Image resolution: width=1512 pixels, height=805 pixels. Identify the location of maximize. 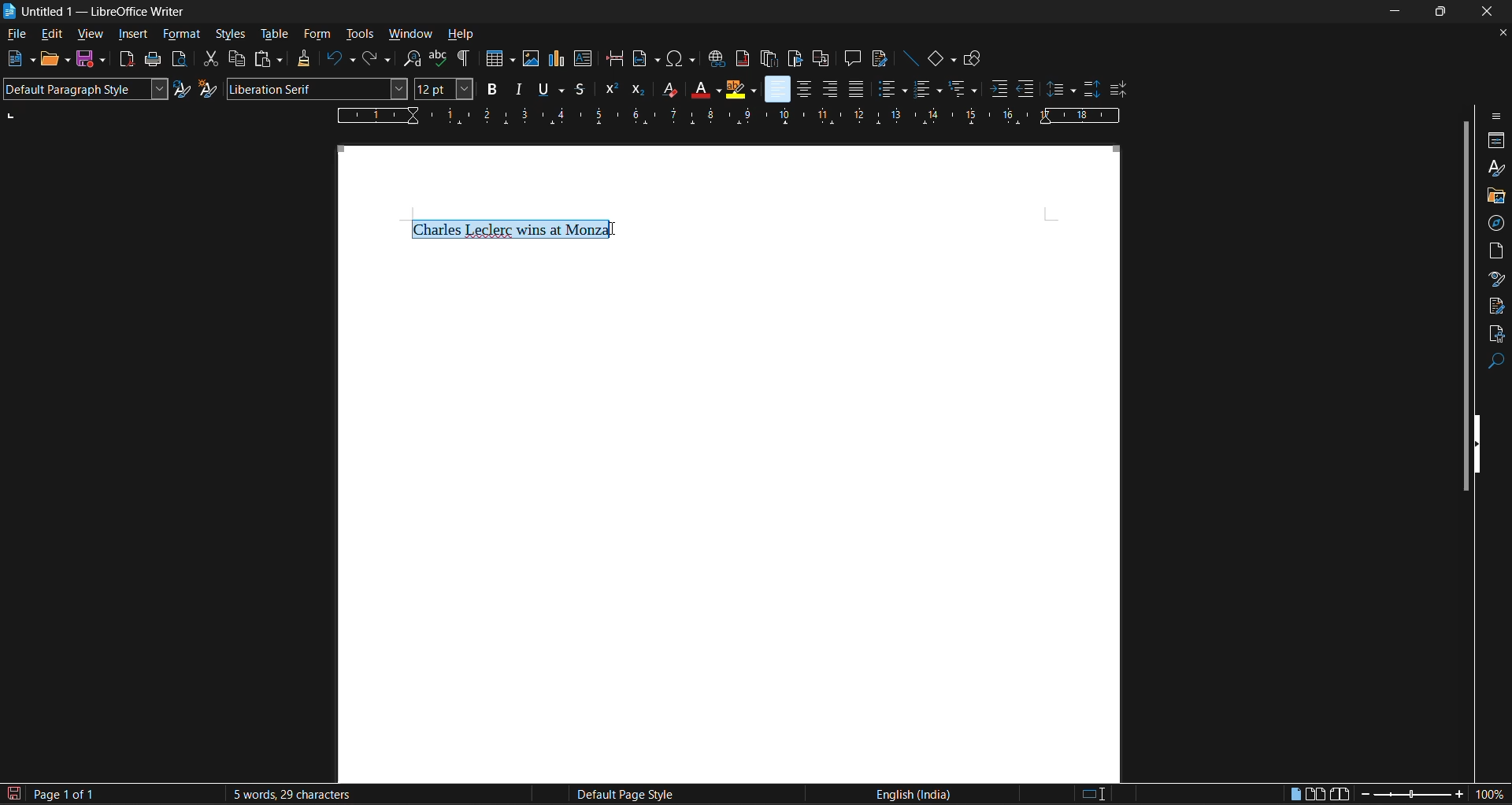
(1443, 10).